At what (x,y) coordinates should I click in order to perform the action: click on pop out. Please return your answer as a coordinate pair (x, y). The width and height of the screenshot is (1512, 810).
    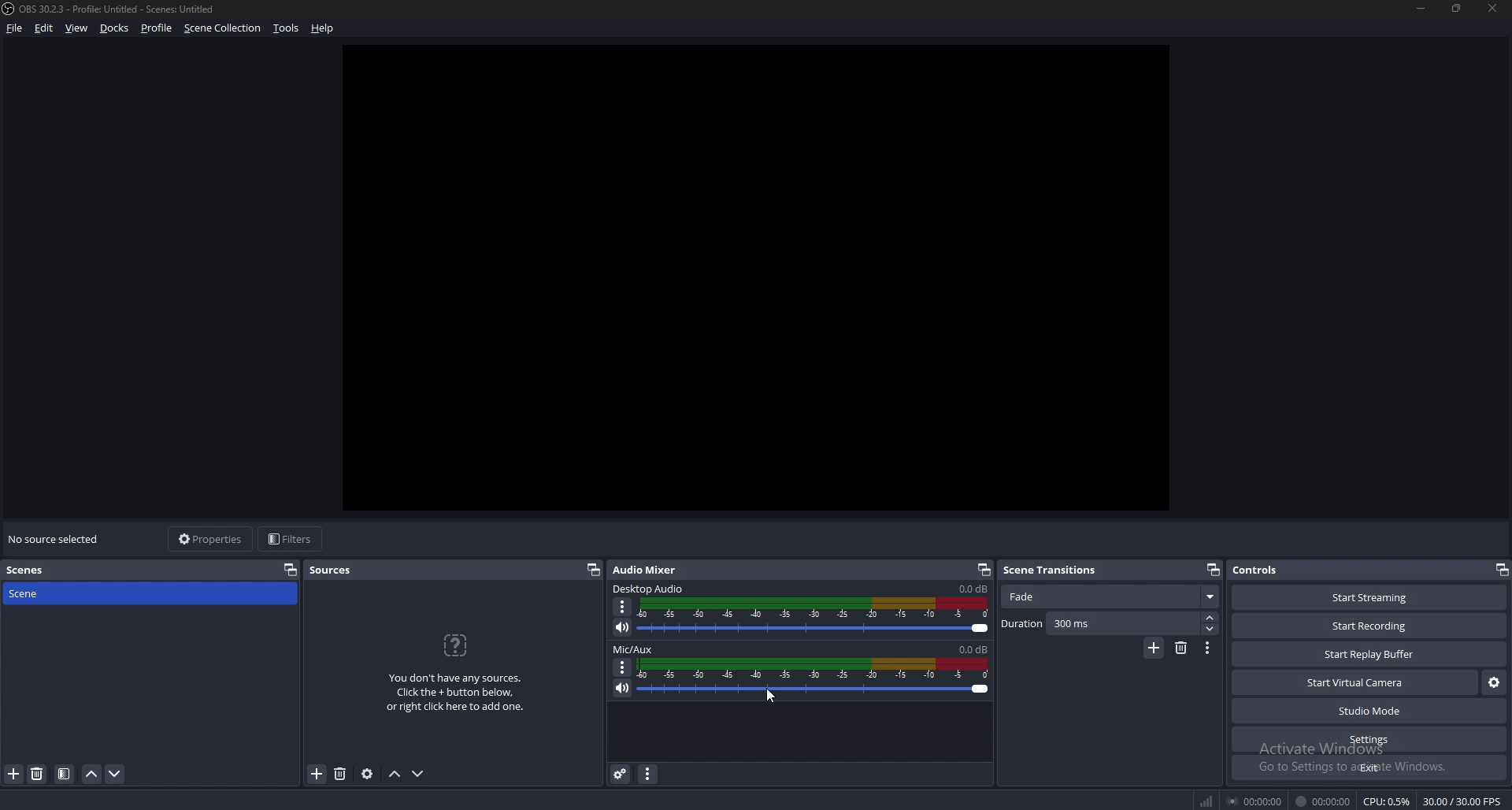
    Looking at the image, I should click on (290, 570).